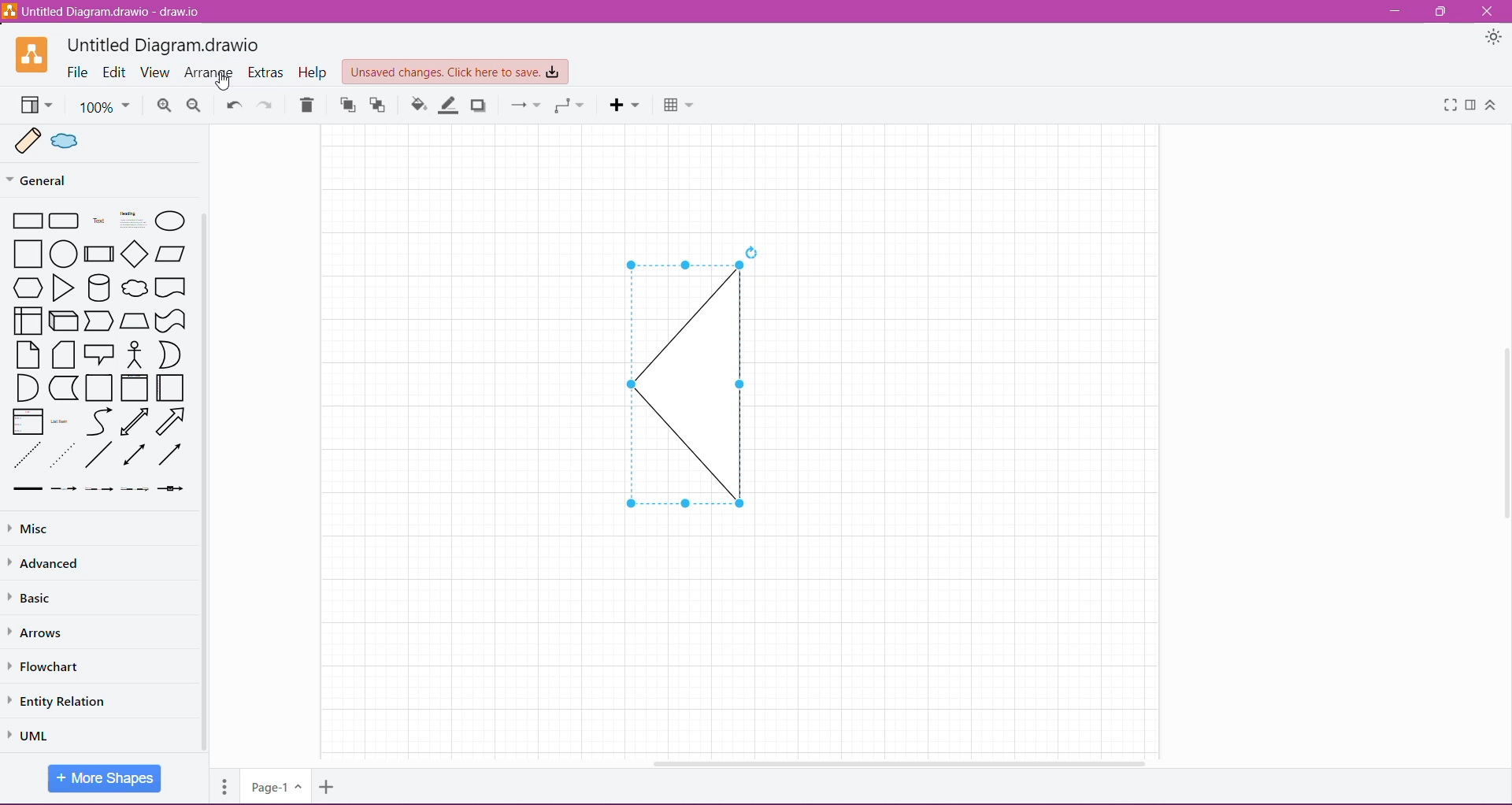 Image resolution: width=1512 pixels, height=805 pixels. I want to click on Restore Down, so click(1443, 11).